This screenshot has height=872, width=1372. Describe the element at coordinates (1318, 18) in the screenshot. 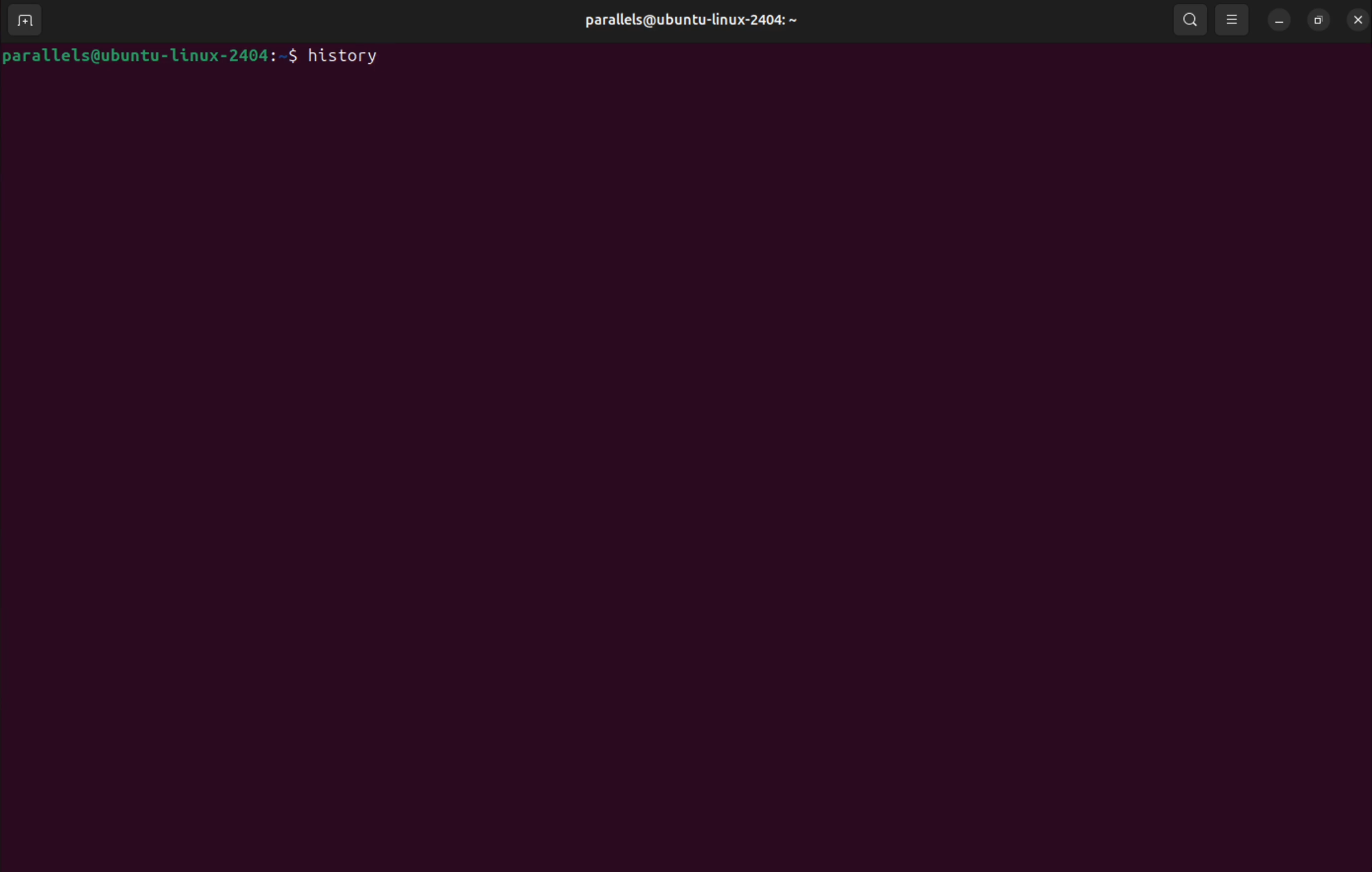

I see `resize` at that location.